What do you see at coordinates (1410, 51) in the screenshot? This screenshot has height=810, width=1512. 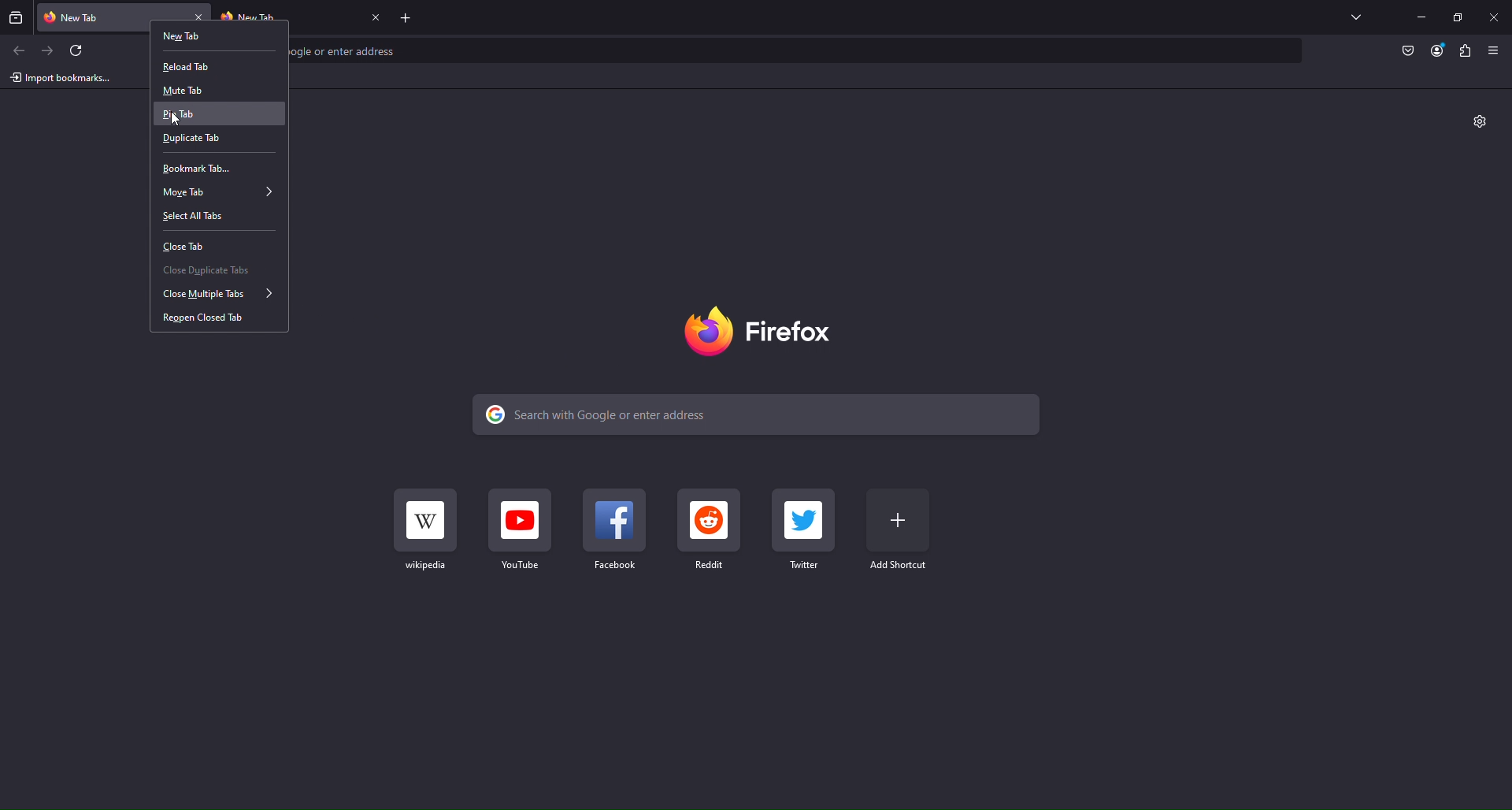 I see `Pocket` at bounding box center [1410, 51].